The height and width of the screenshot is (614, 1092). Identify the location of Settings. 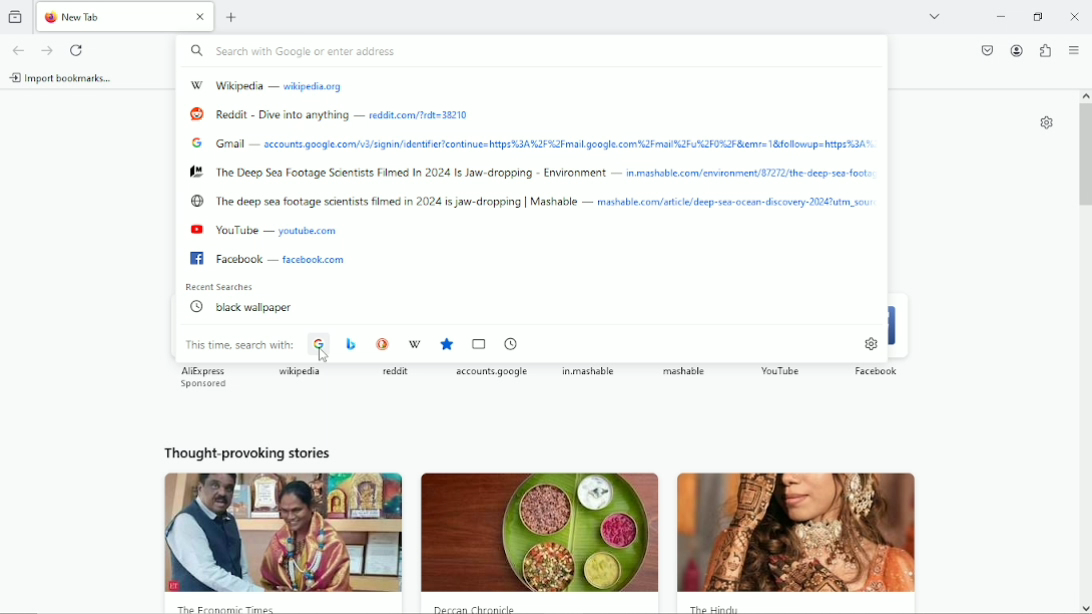
(870, 345).